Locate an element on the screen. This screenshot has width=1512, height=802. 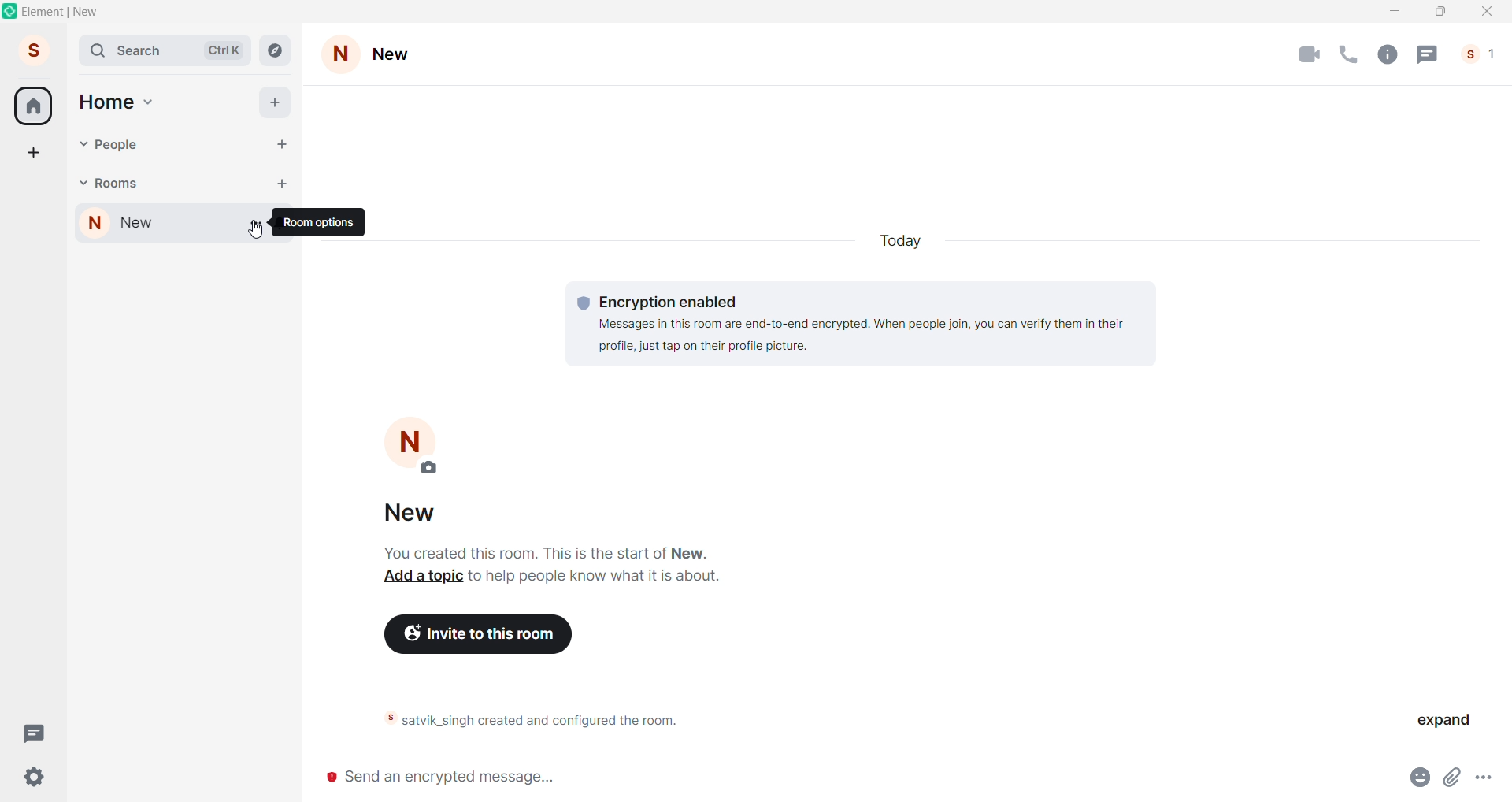
Threads is located at coordinates (32, 733).